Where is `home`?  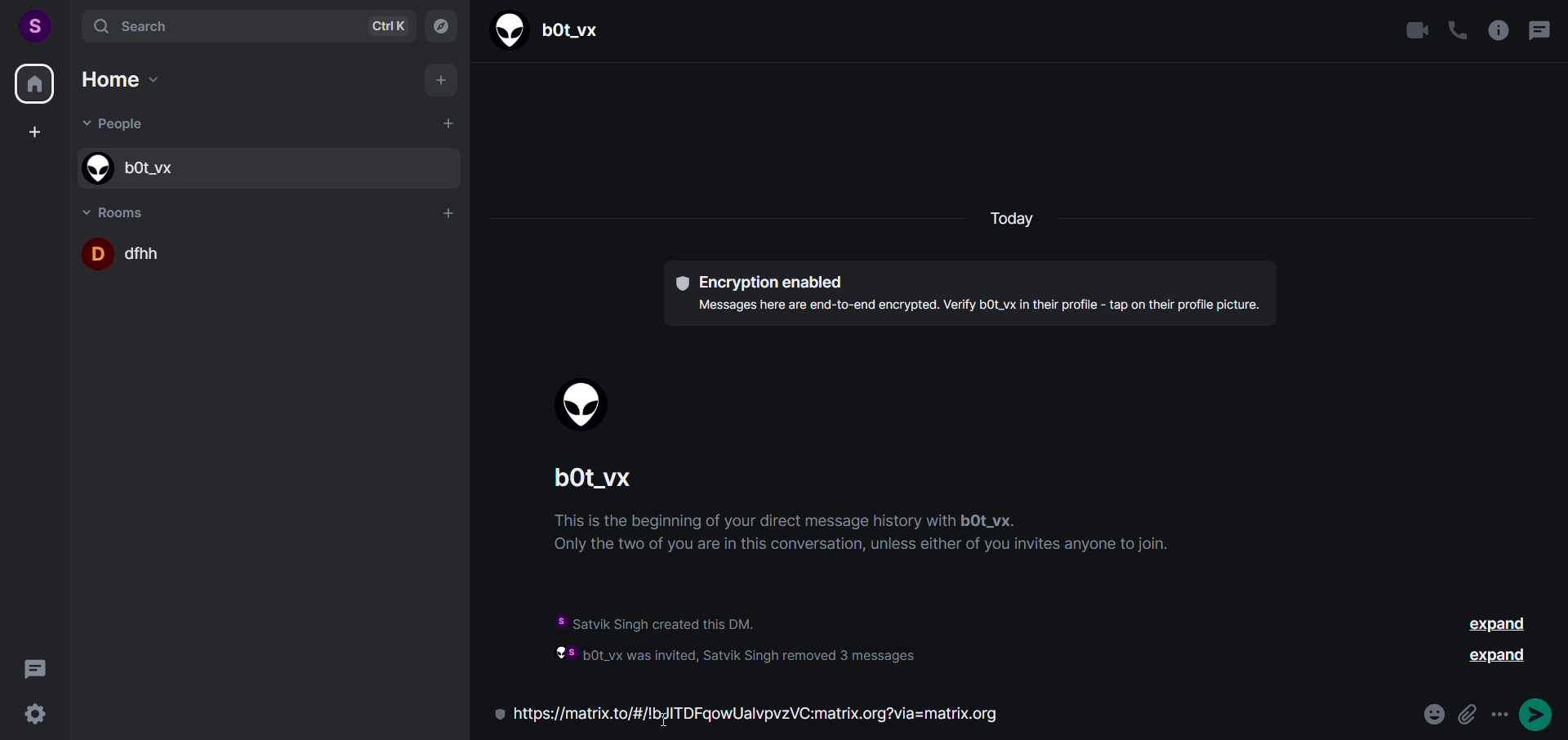 home is located at coordinates (34, 87).